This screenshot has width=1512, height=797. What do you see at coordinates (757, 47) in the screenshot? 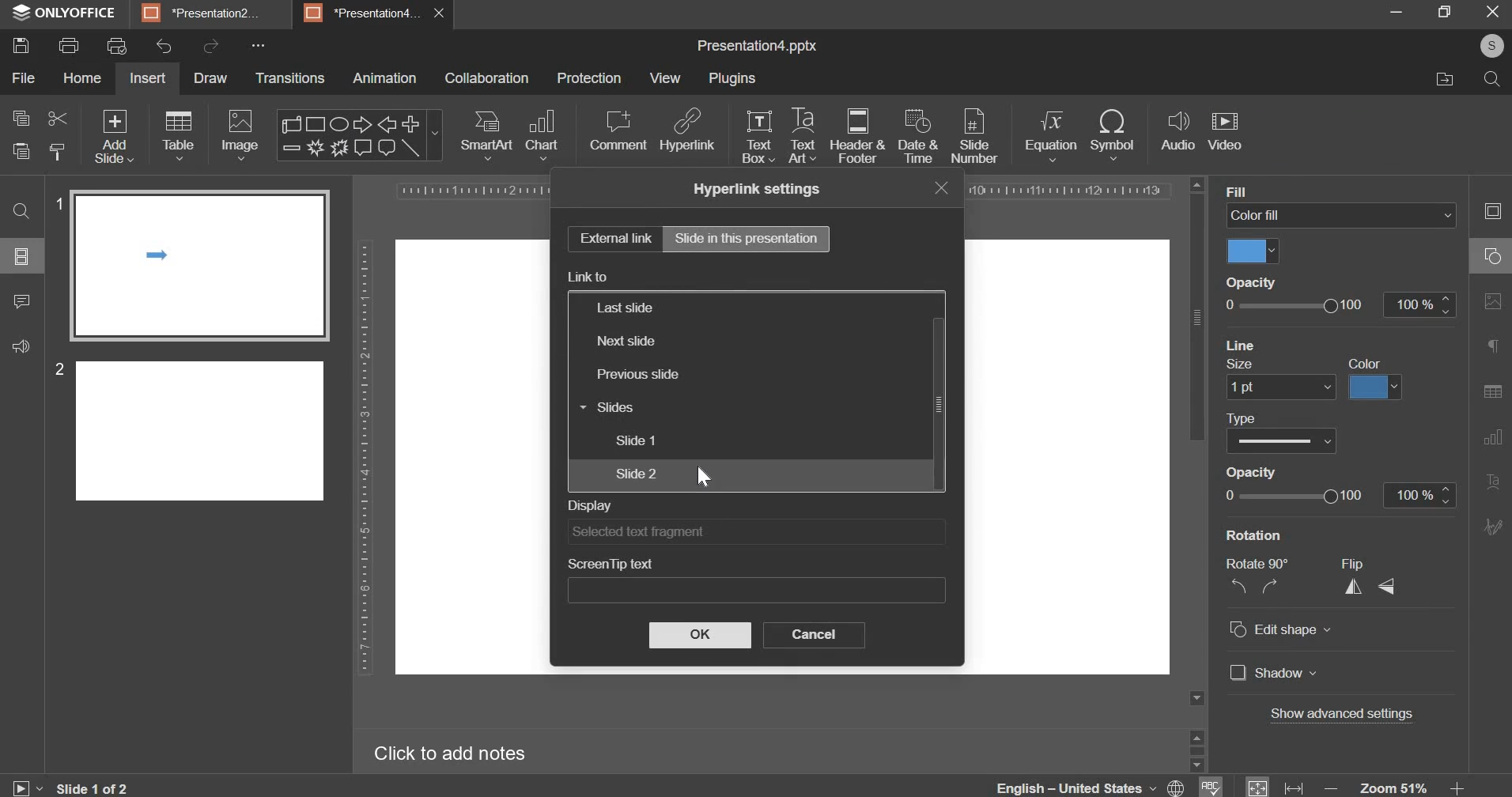
I see `presentation name` at bounding box center [757, 47].